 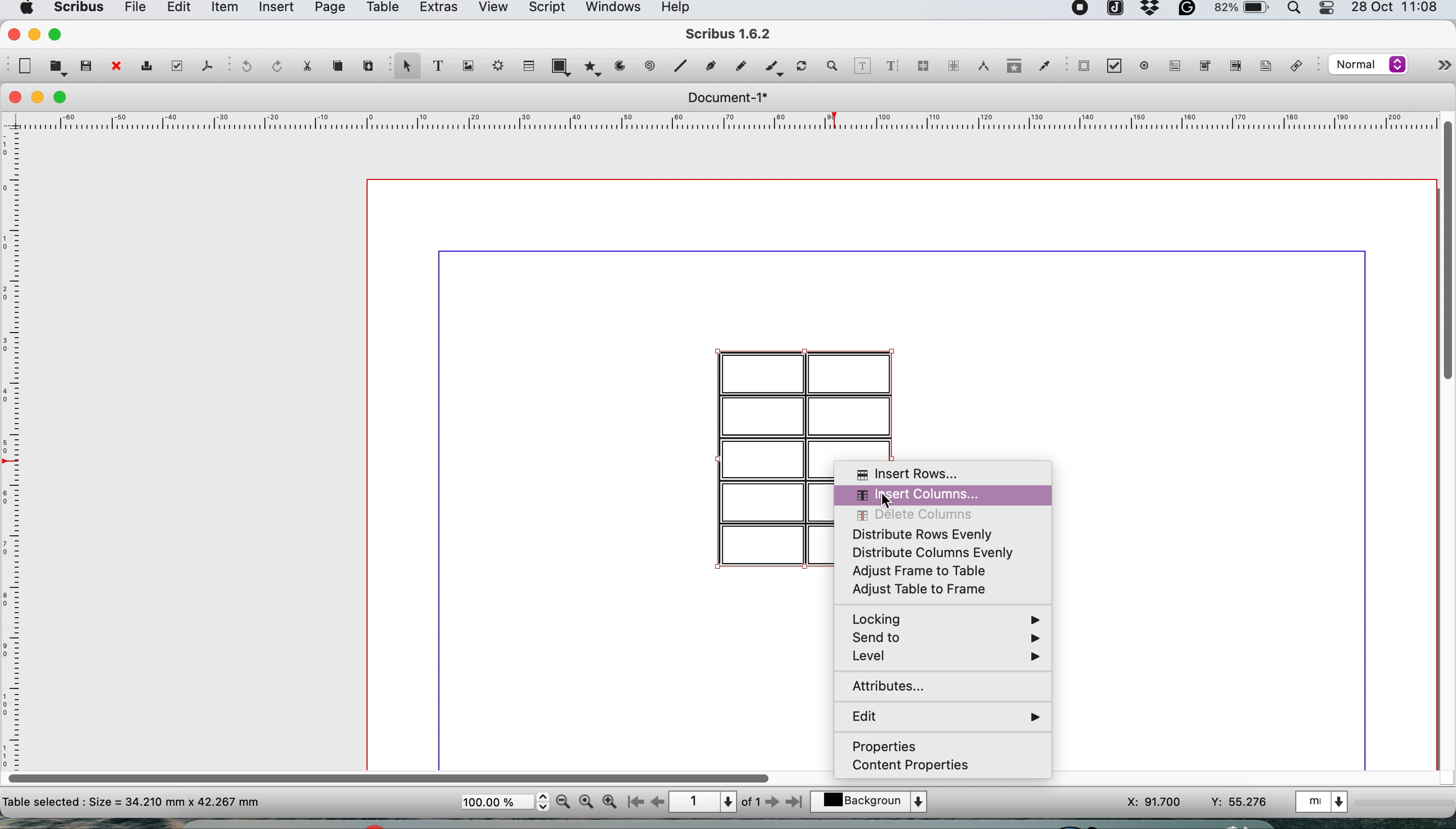 What do you see at coordinates (1297, 11) in the screenshot?
I see `spotlight search` at bounding box center [1297, 11].